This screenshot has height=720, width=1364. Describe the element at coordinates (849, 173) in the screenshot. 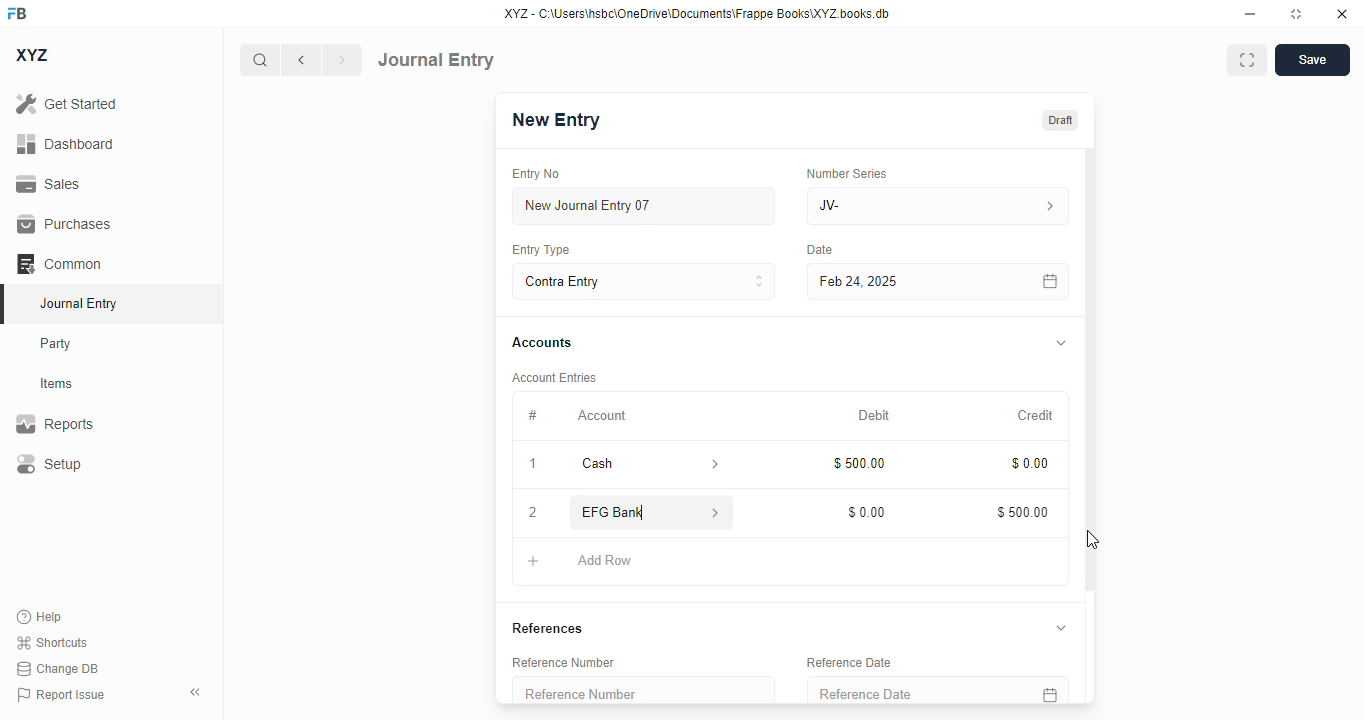

I see `number series` at that location.